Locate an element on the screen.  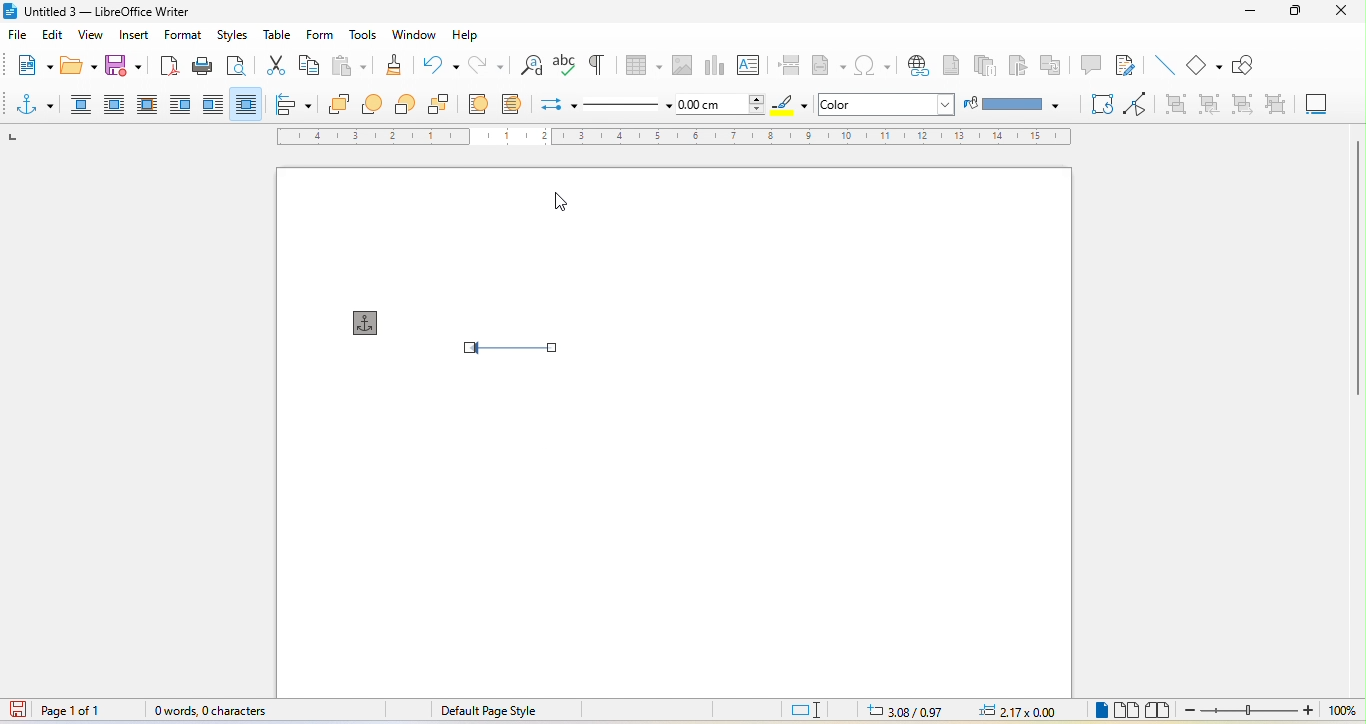
minimize is located at coordinates (1251, 10).